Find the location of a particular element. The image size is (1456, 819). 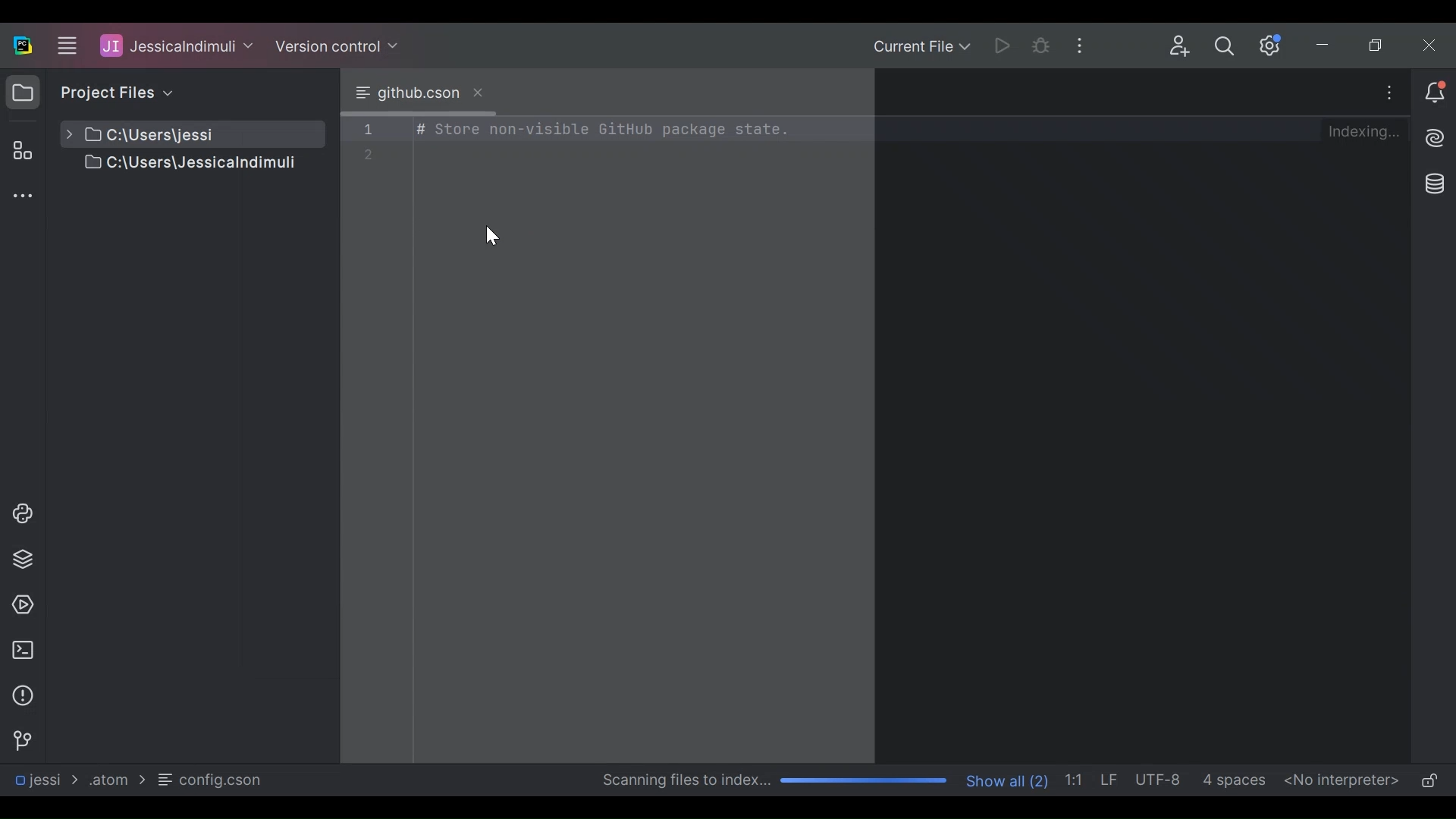

Project File is located at coordinates (174, 134).